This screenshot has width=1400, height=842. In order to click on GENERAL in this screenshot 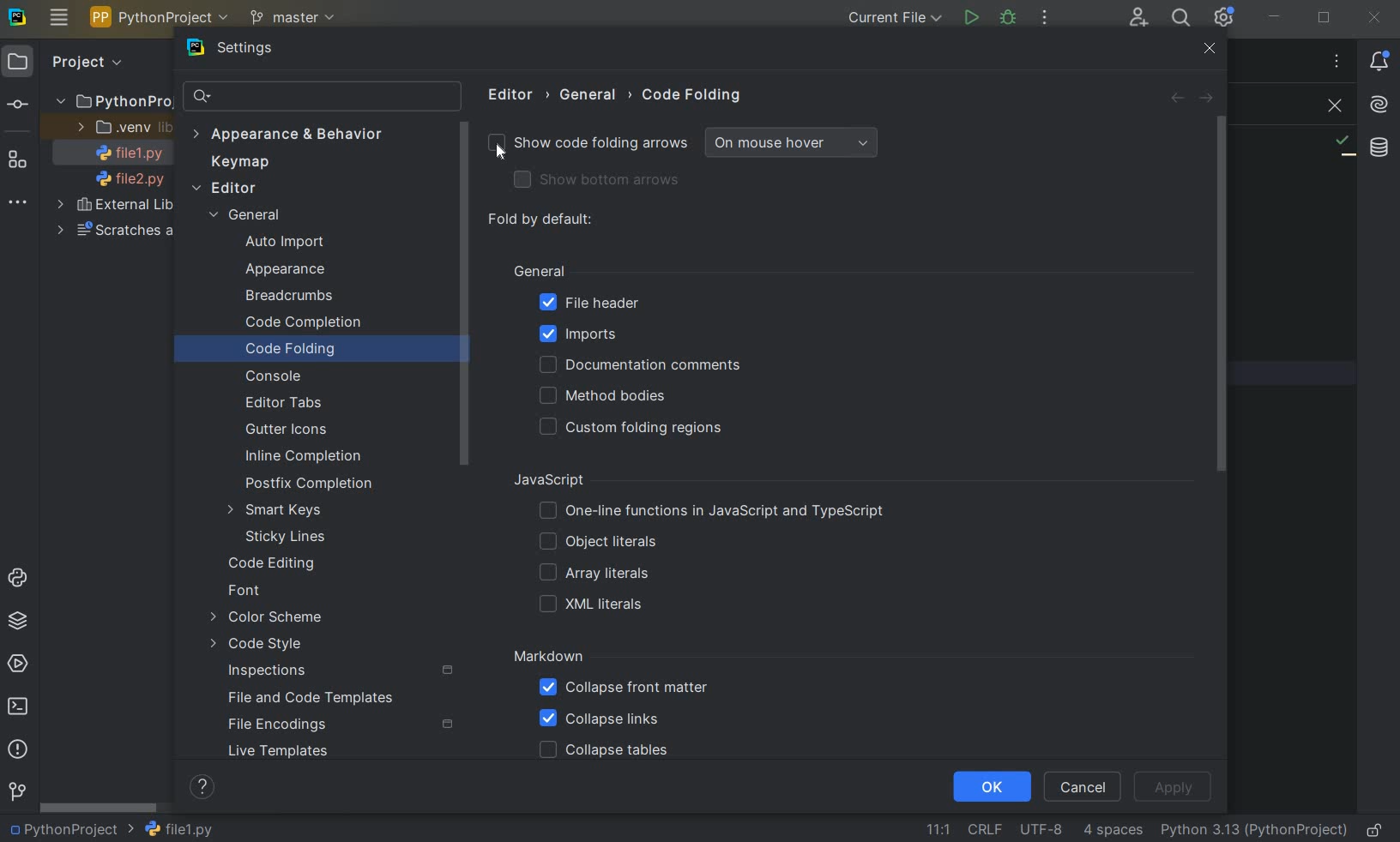, I will do `click(252, 217)`.